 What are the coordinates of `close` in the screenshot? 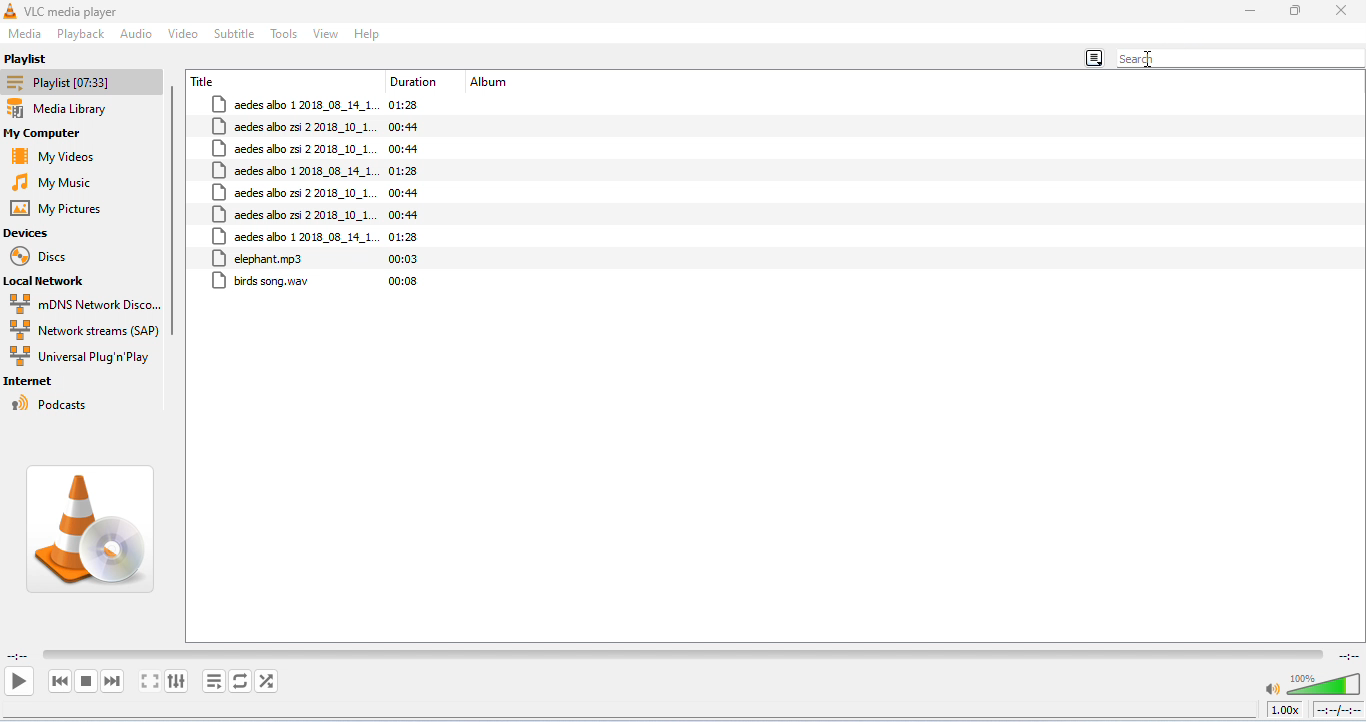 It's located at (1340, 11).